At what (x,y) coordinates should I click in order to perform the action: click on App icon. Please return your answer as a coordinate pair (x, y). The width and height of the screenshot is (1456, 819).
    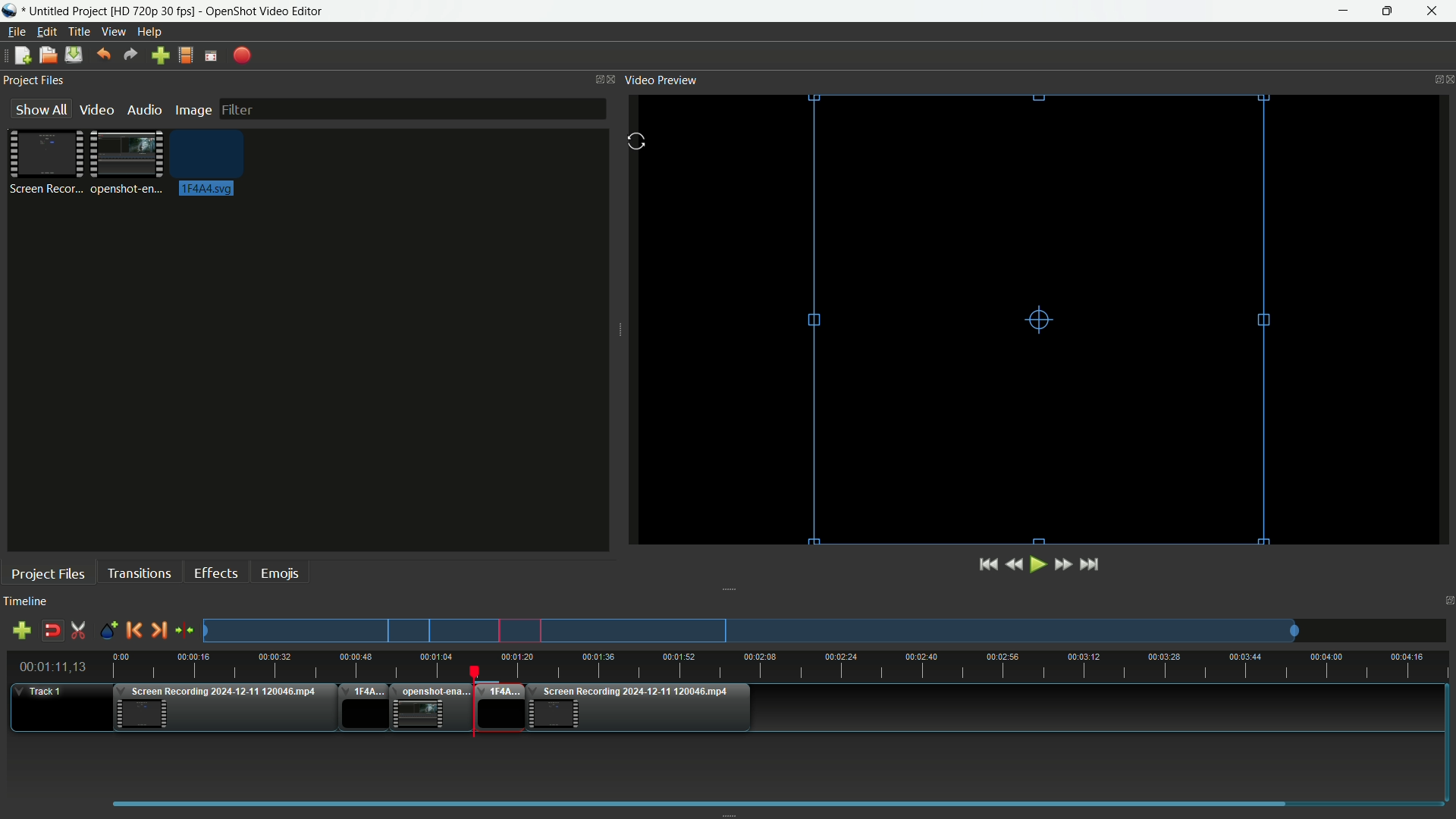
    Looking at the image, I should click on (12, 11).